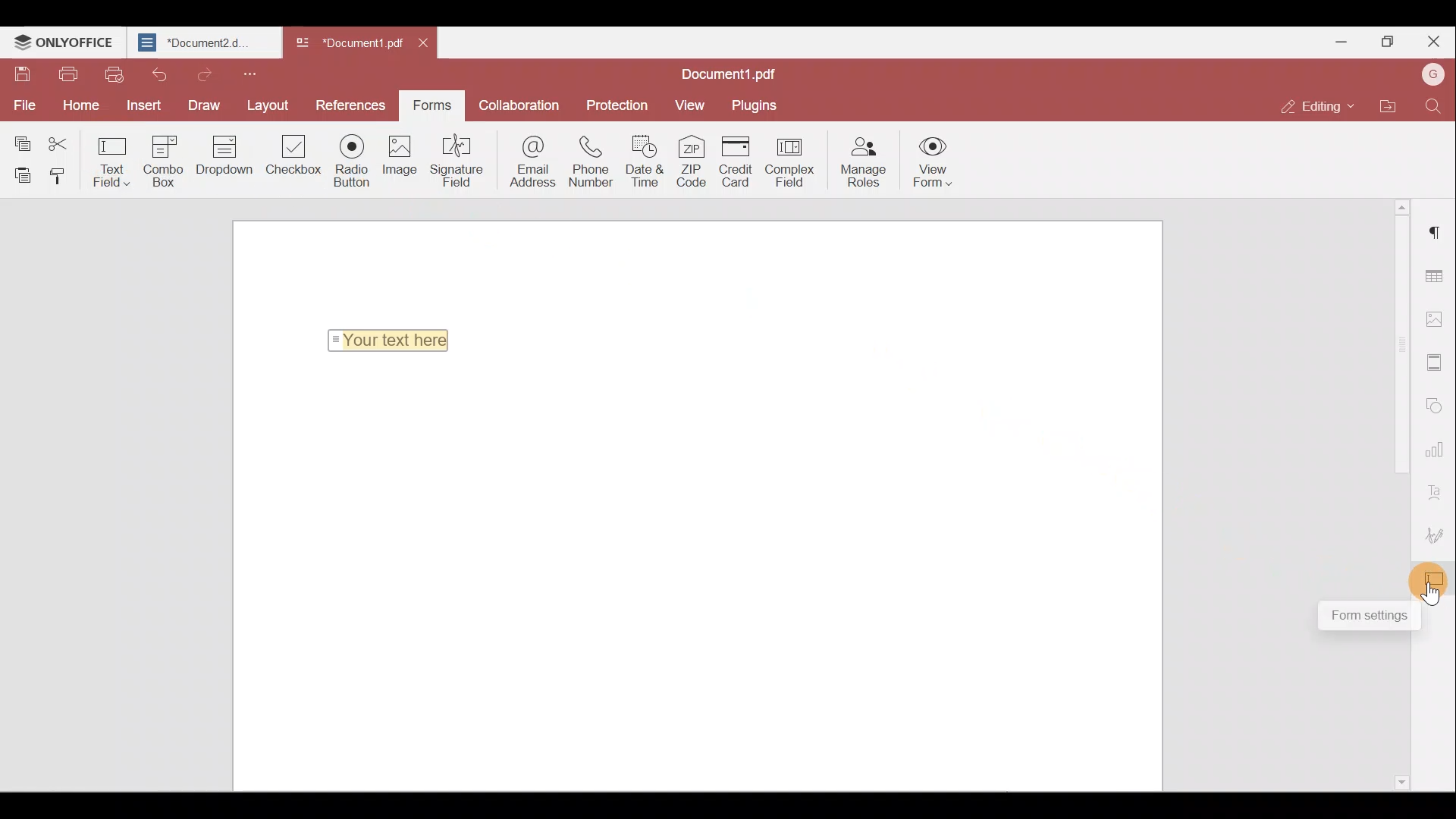  I want to click on Email address, so click(526, 162).